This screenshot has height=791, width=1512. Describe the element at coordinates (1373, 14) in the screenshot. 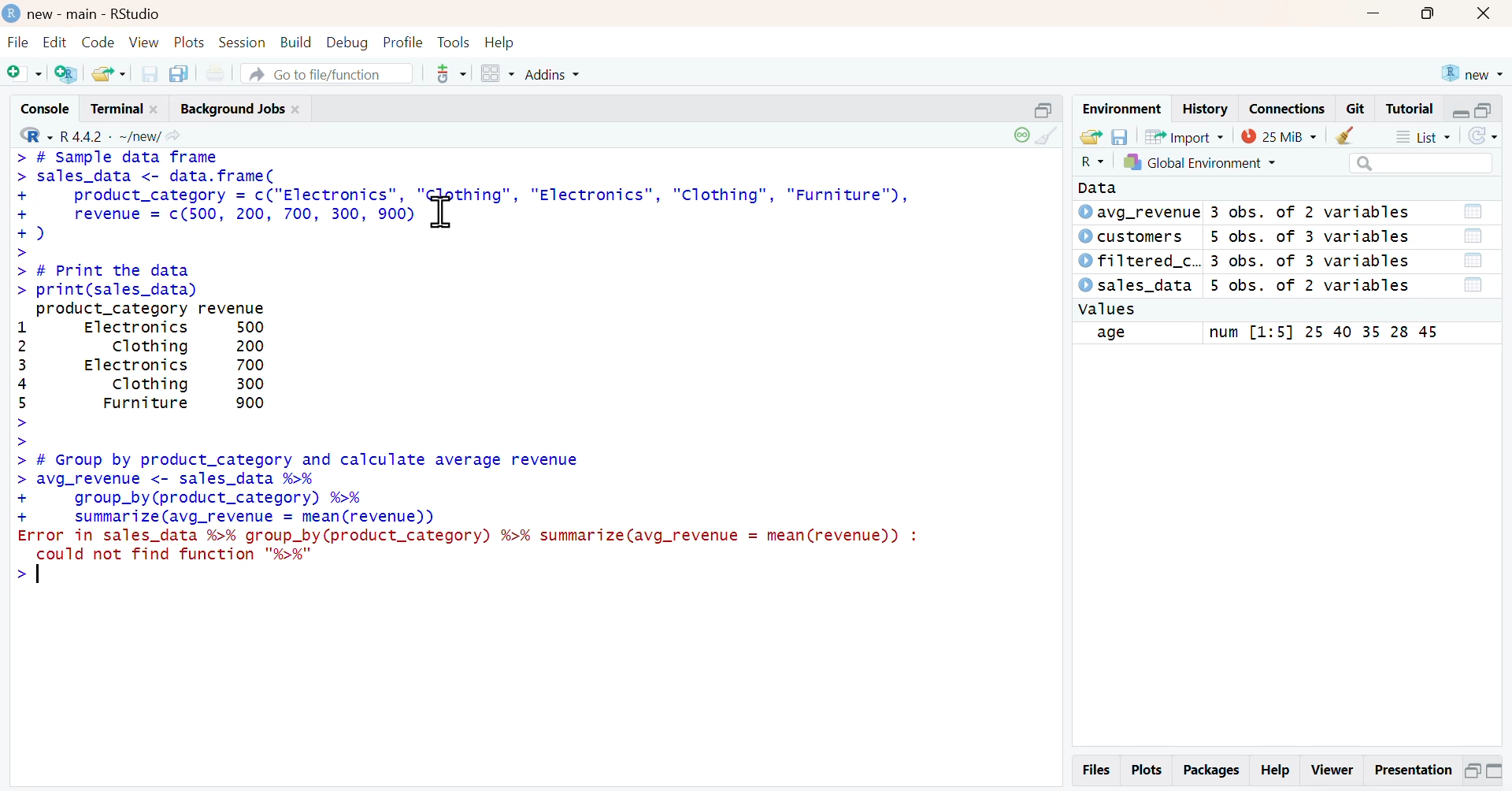

I see `minimize` at that location.